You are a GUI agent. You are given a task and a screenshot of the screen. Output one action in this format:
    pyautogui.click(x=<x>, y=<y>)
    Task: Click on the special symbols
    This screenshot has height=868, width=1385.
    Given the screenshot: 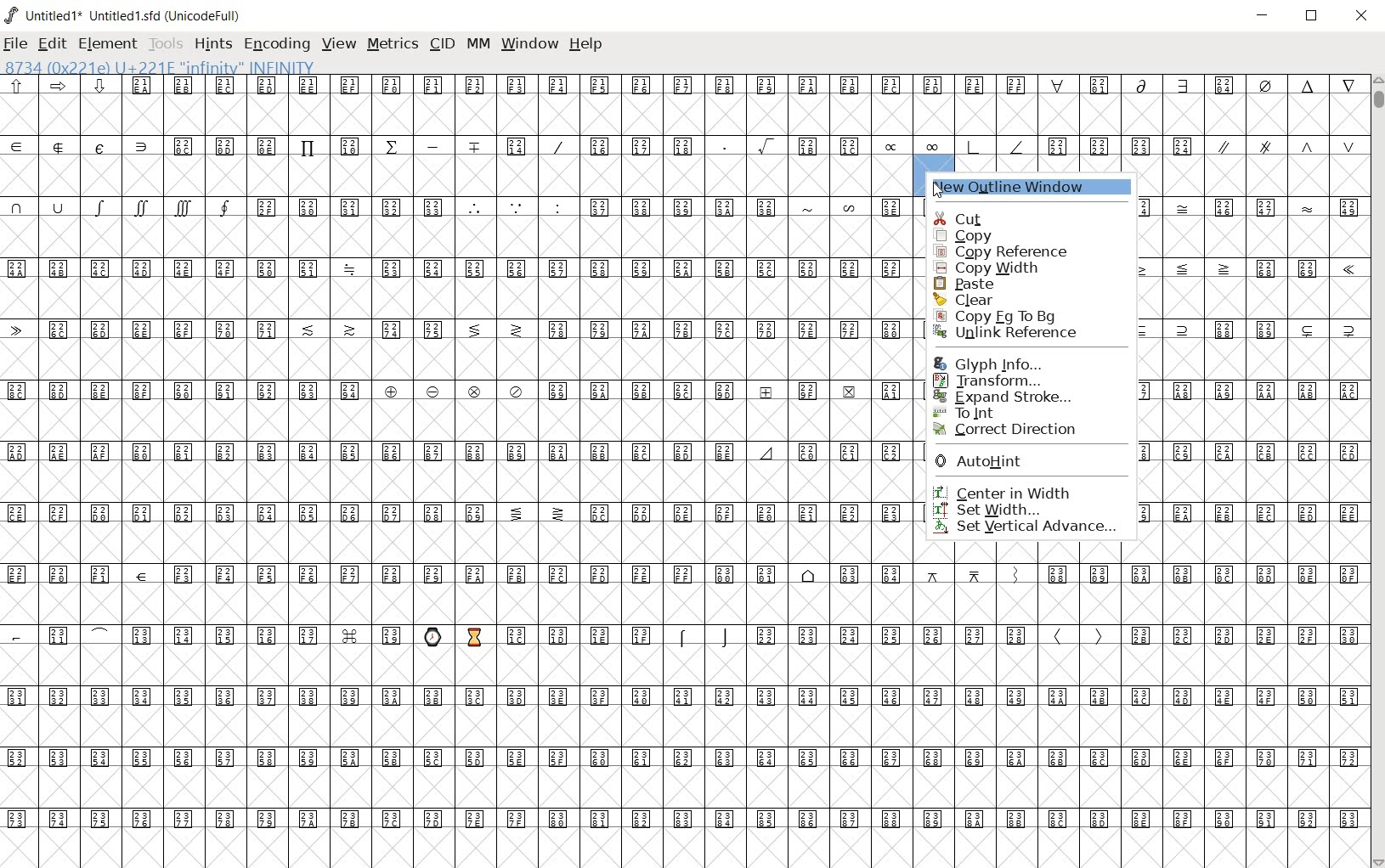 What is the action you would take?
    pyautogui.click(x=82, y=145)
    